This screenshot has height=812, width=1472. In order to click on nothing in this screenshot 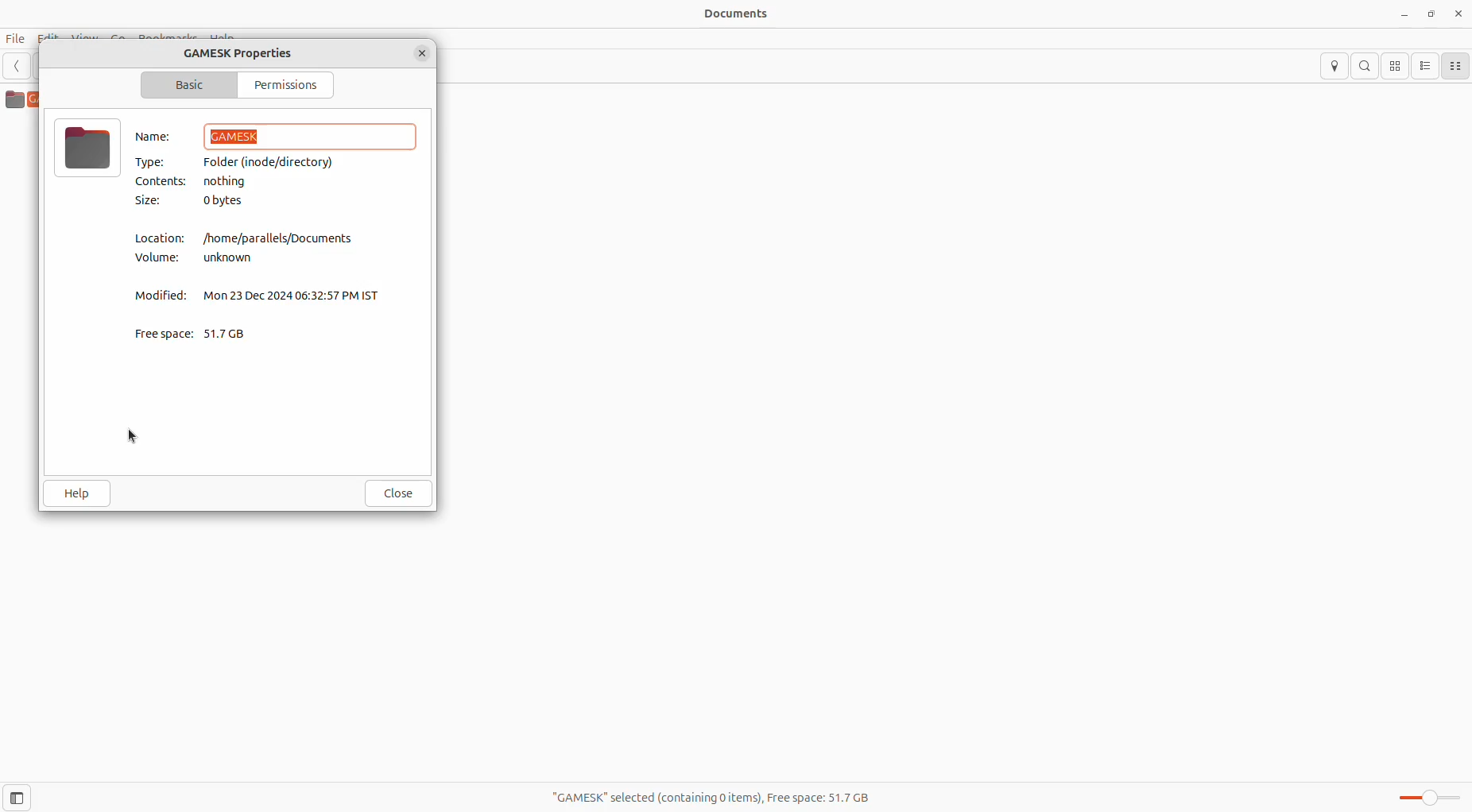, I will do `click(239, 183)`.